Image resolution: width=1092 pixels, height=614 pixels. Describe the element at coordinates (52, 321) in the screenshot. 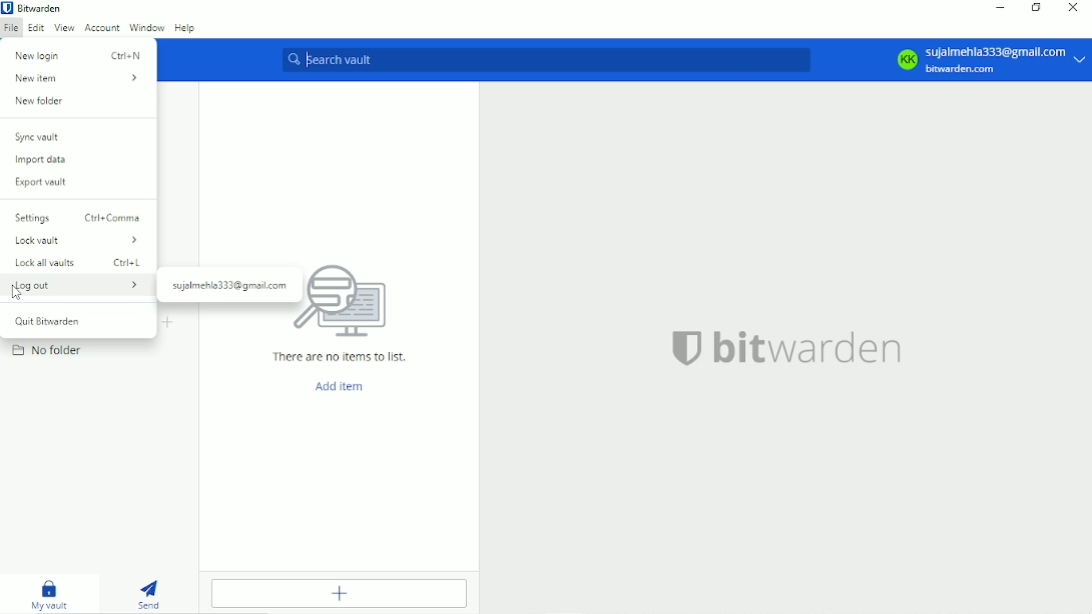

I see `Quit Bitwarden` at that location.